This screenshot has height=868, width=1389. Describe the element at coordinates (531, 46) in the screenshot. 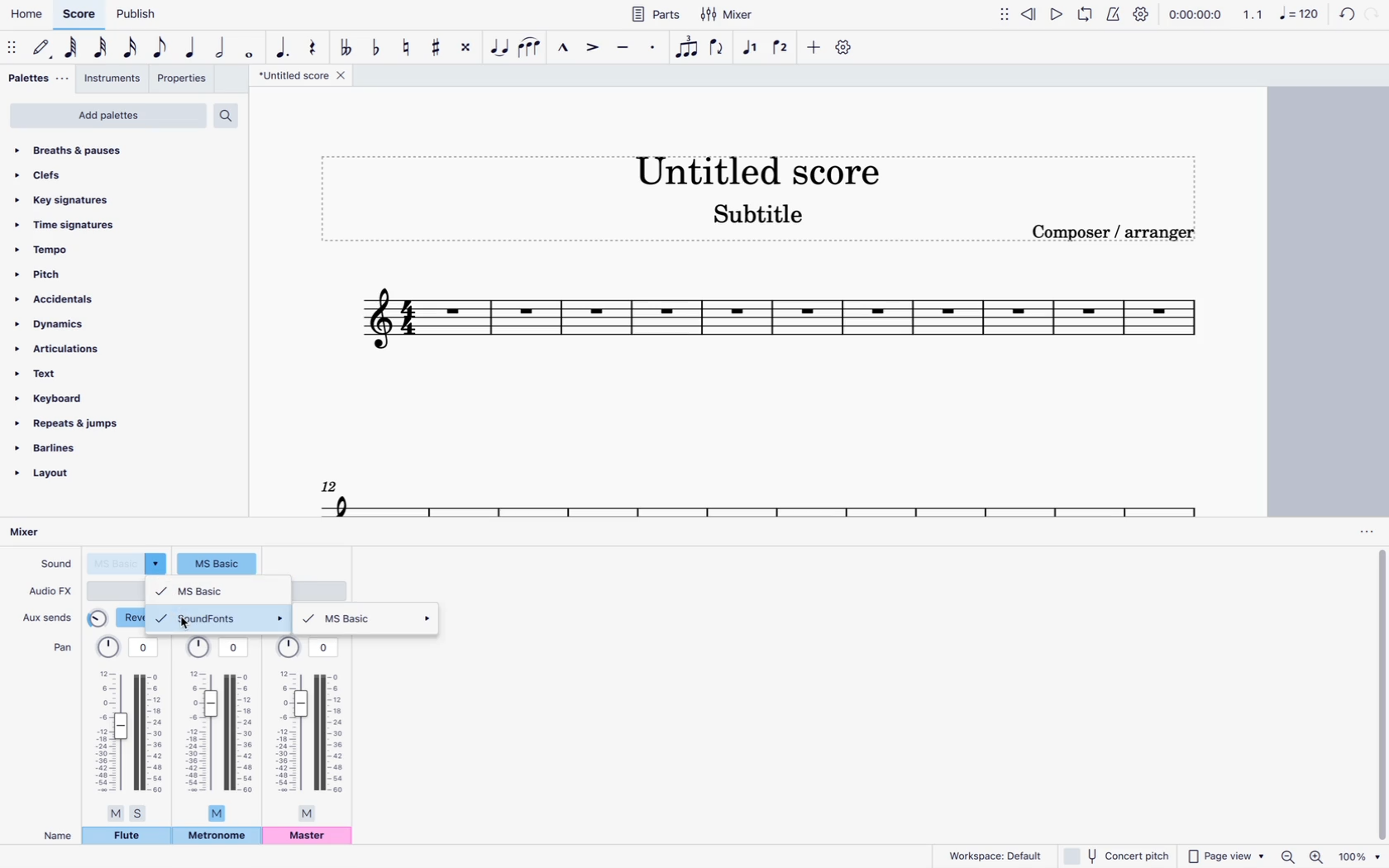

I see `slur` at that location.